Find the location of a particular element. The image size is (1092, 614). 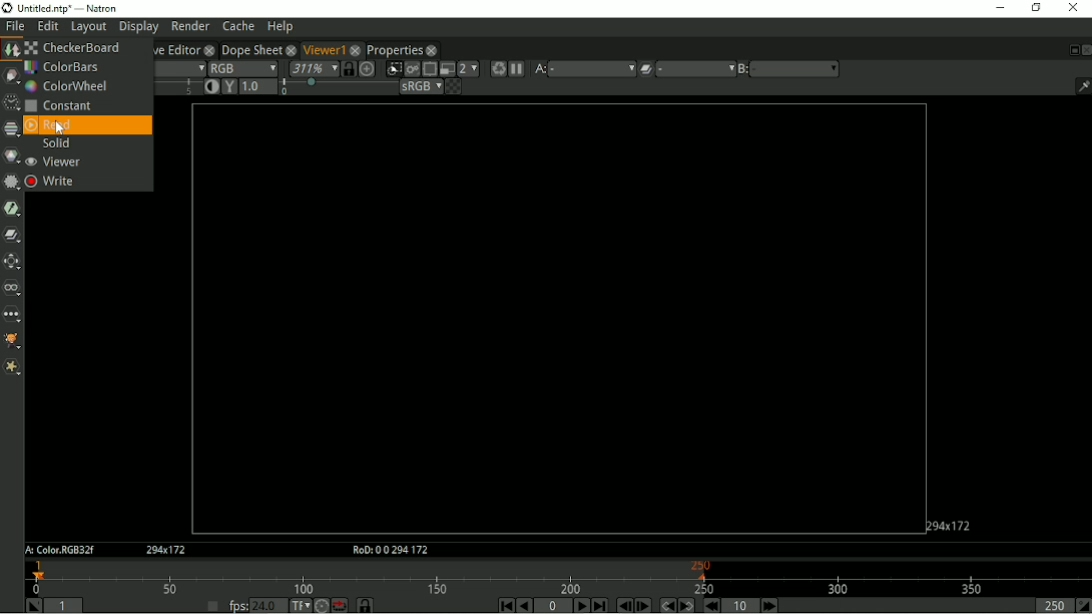

Next keyframe is located at coordinates (687, 605).